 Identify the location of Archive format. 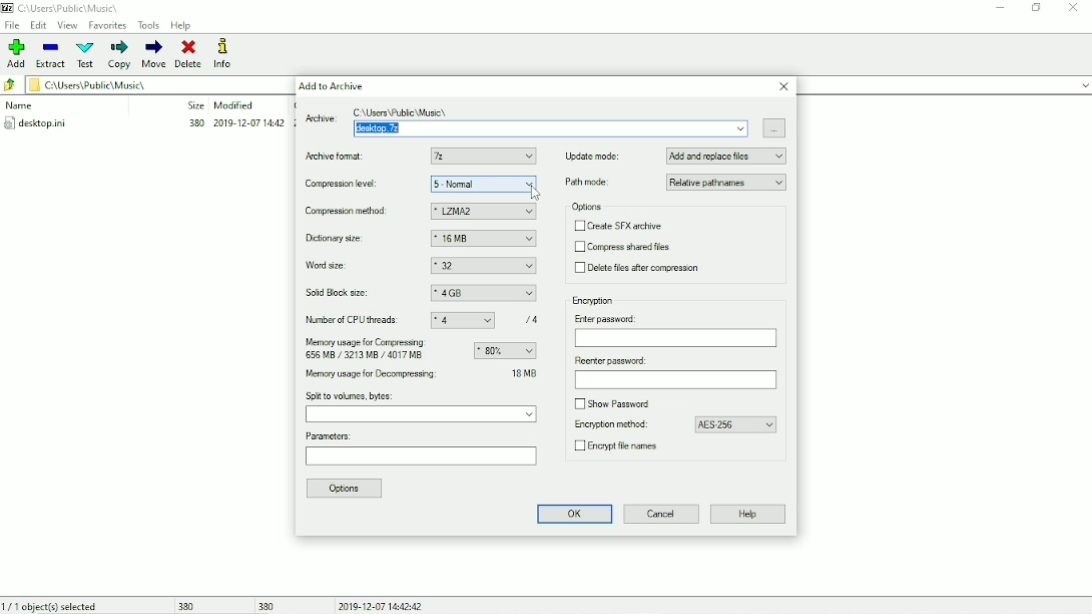
(338, 156).